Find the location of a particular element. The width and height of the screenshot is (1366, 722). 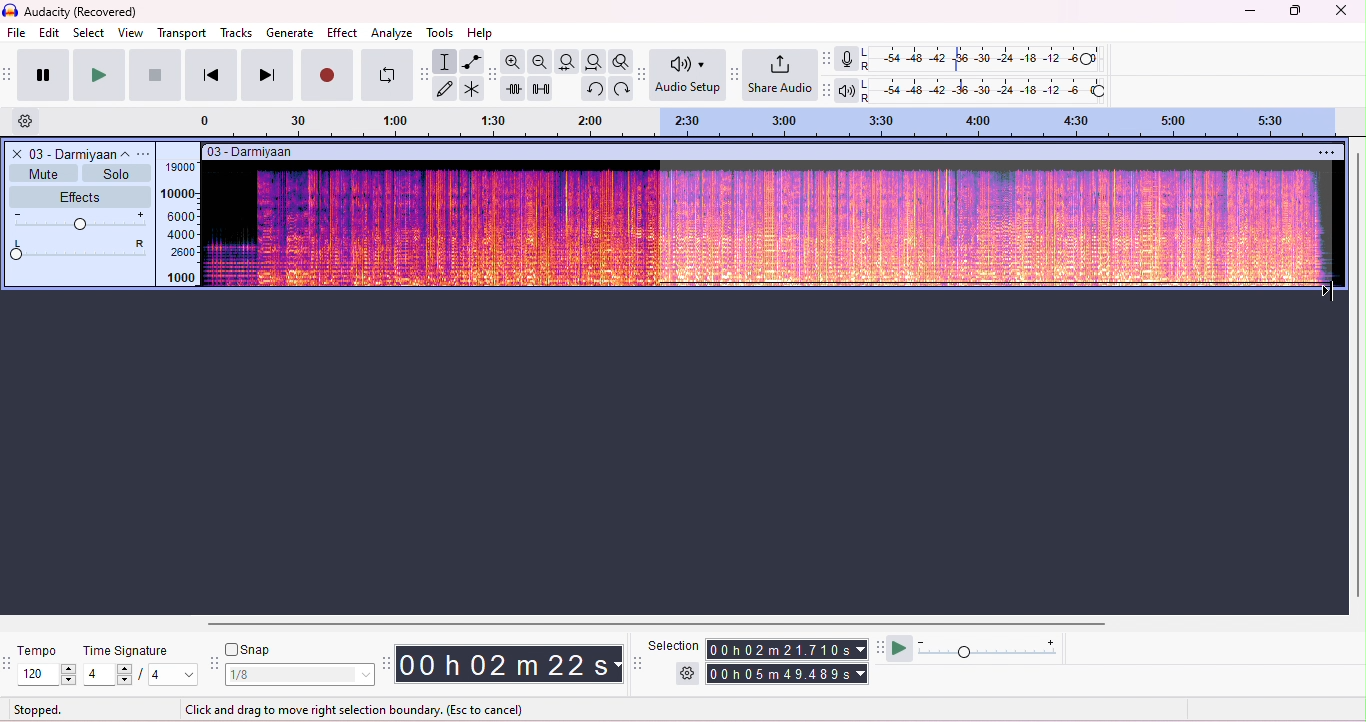

dragged is located at coordinates (997, 229).